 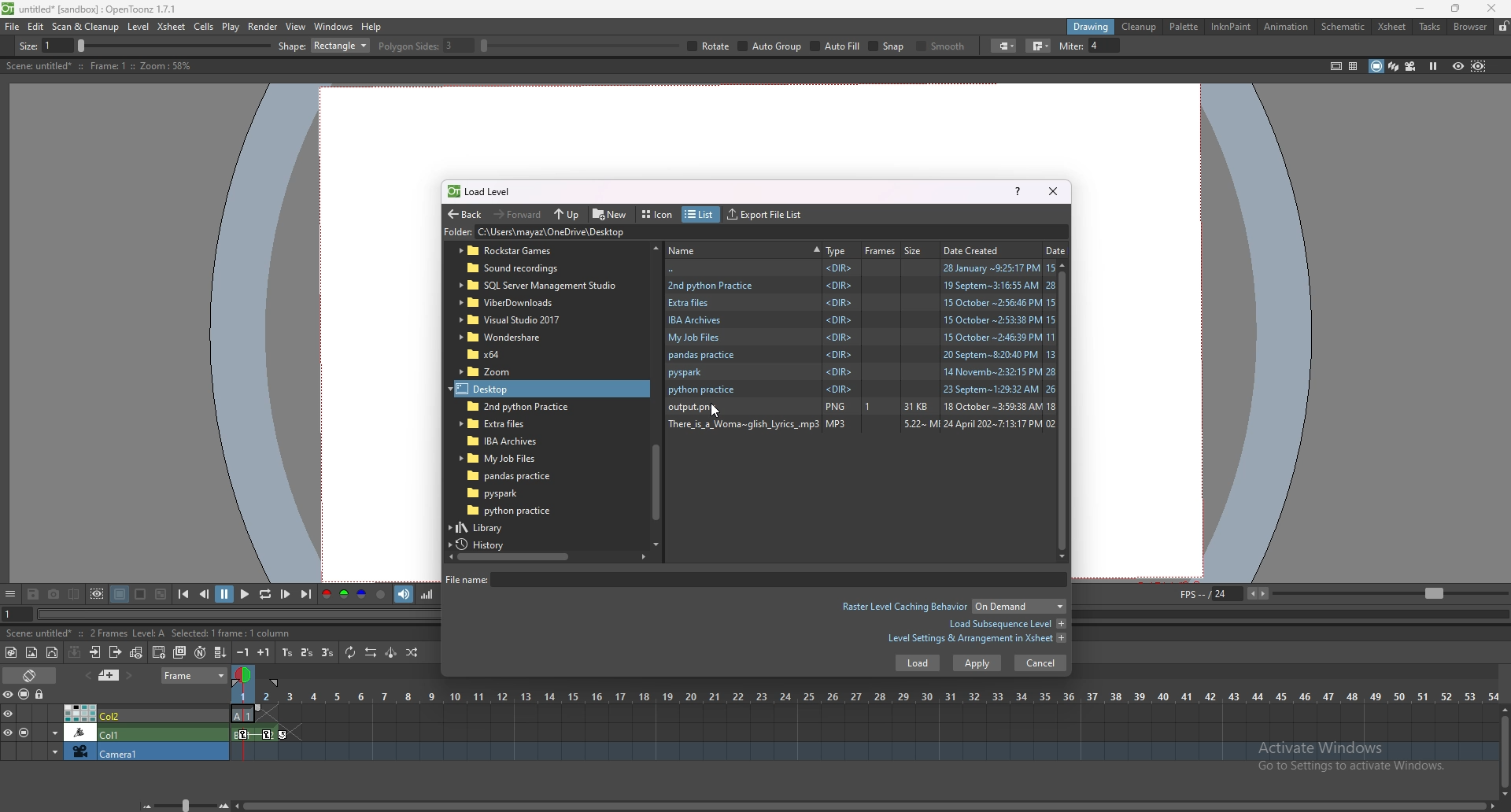 What do you see at coordinates (95, 652) in the screenshot?
I see `open x subsheet` at bounding box center [95, 652].